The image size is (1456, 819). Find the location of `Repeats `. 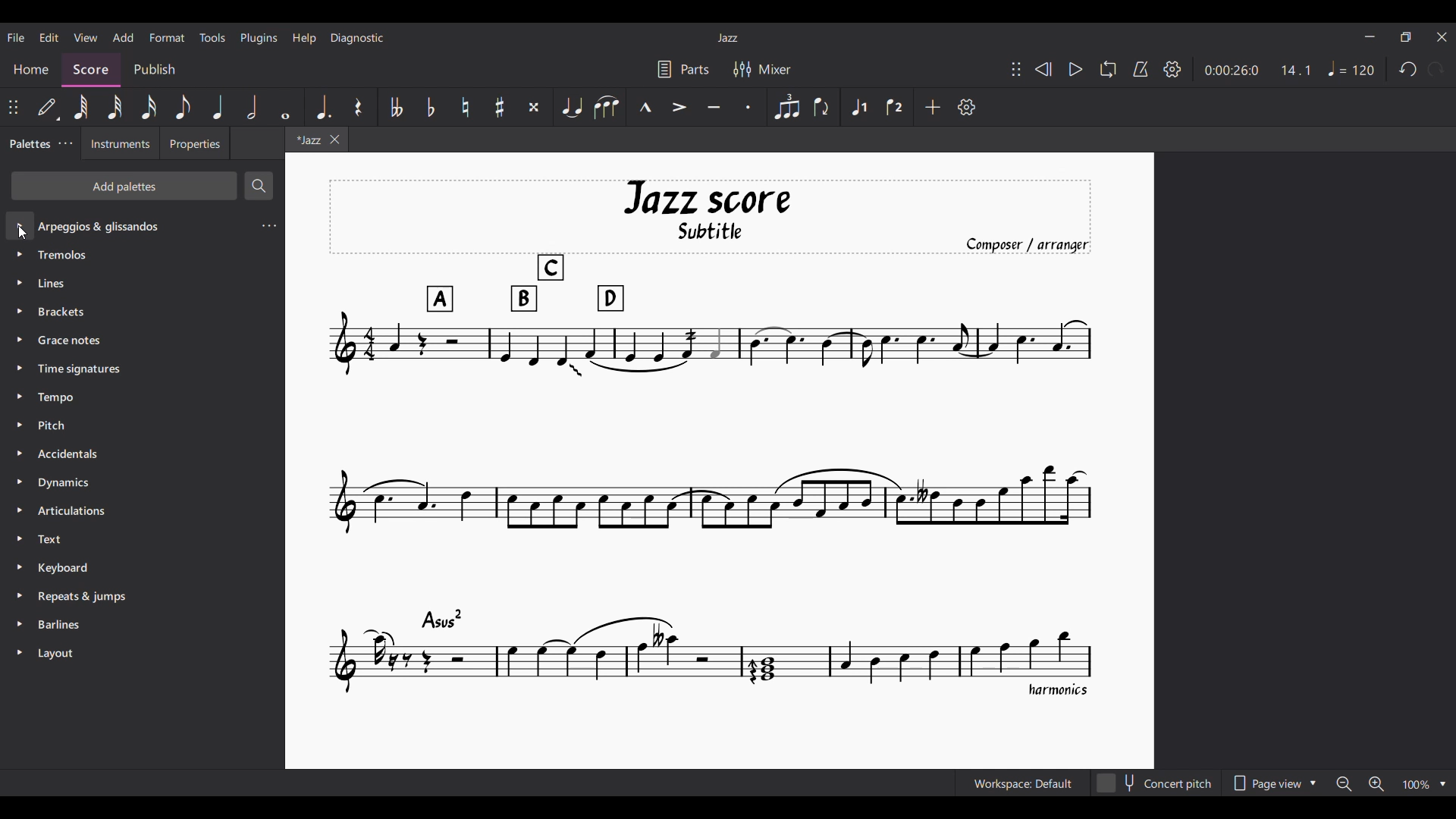

Repeats  is located at coordinates (83, 598).